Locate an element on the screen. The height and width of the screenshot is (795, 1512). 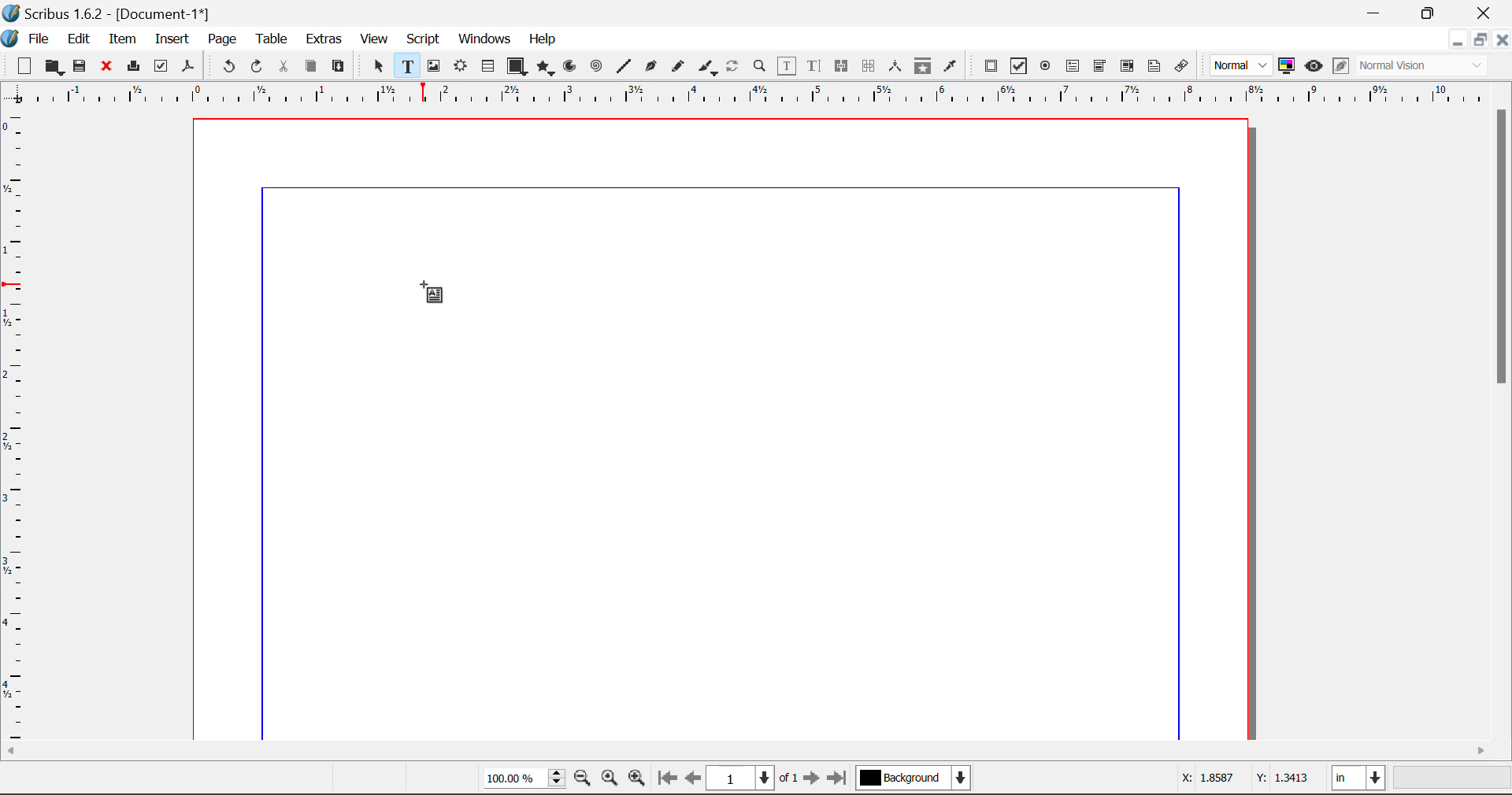
Vertical Page Margins is located at coordinates (764, 94).